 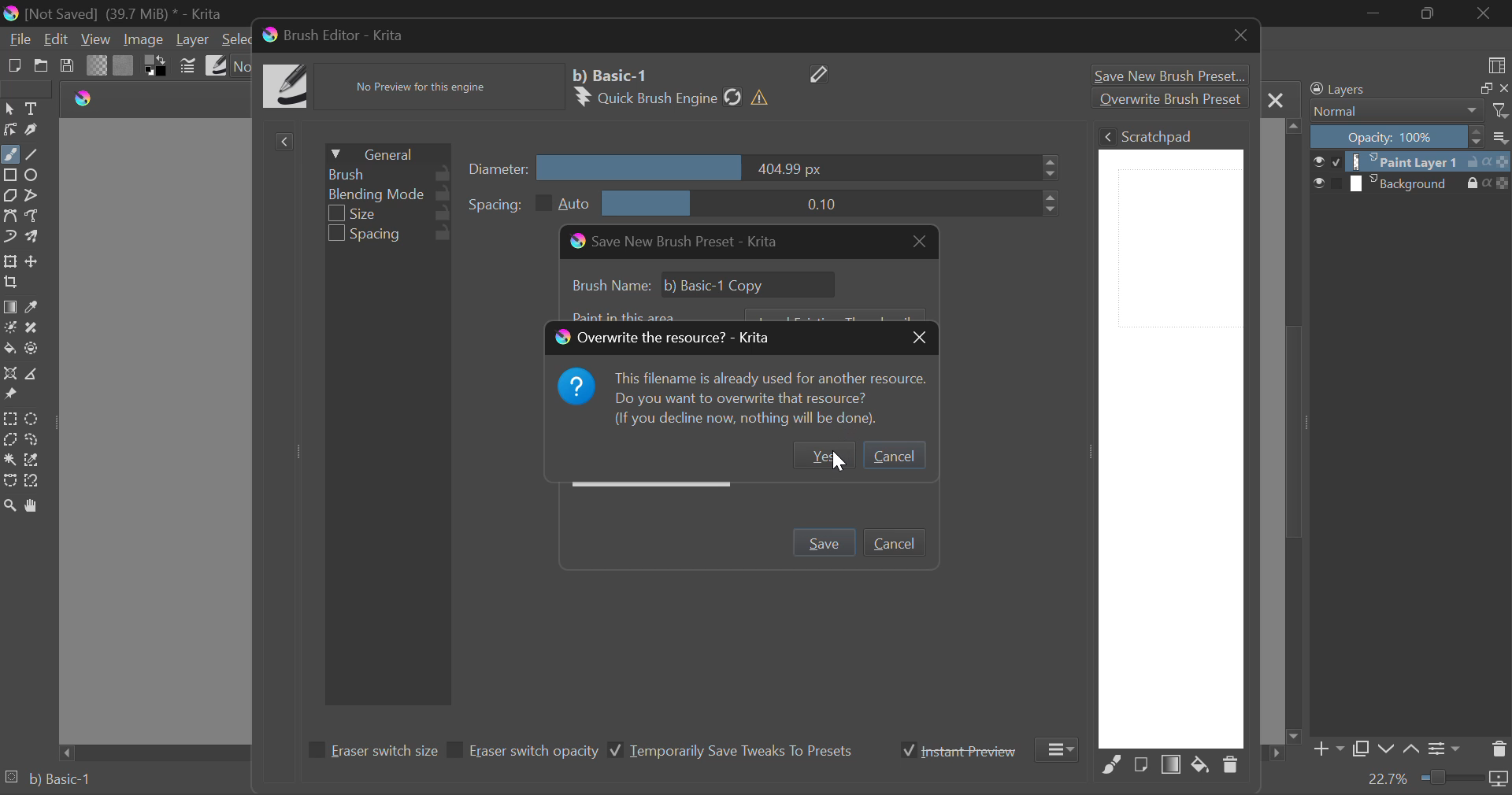 What do you see at coordinates (31, 441) in the screenshot?
I see `Freehand Selection` at bounding box center [31, 441].